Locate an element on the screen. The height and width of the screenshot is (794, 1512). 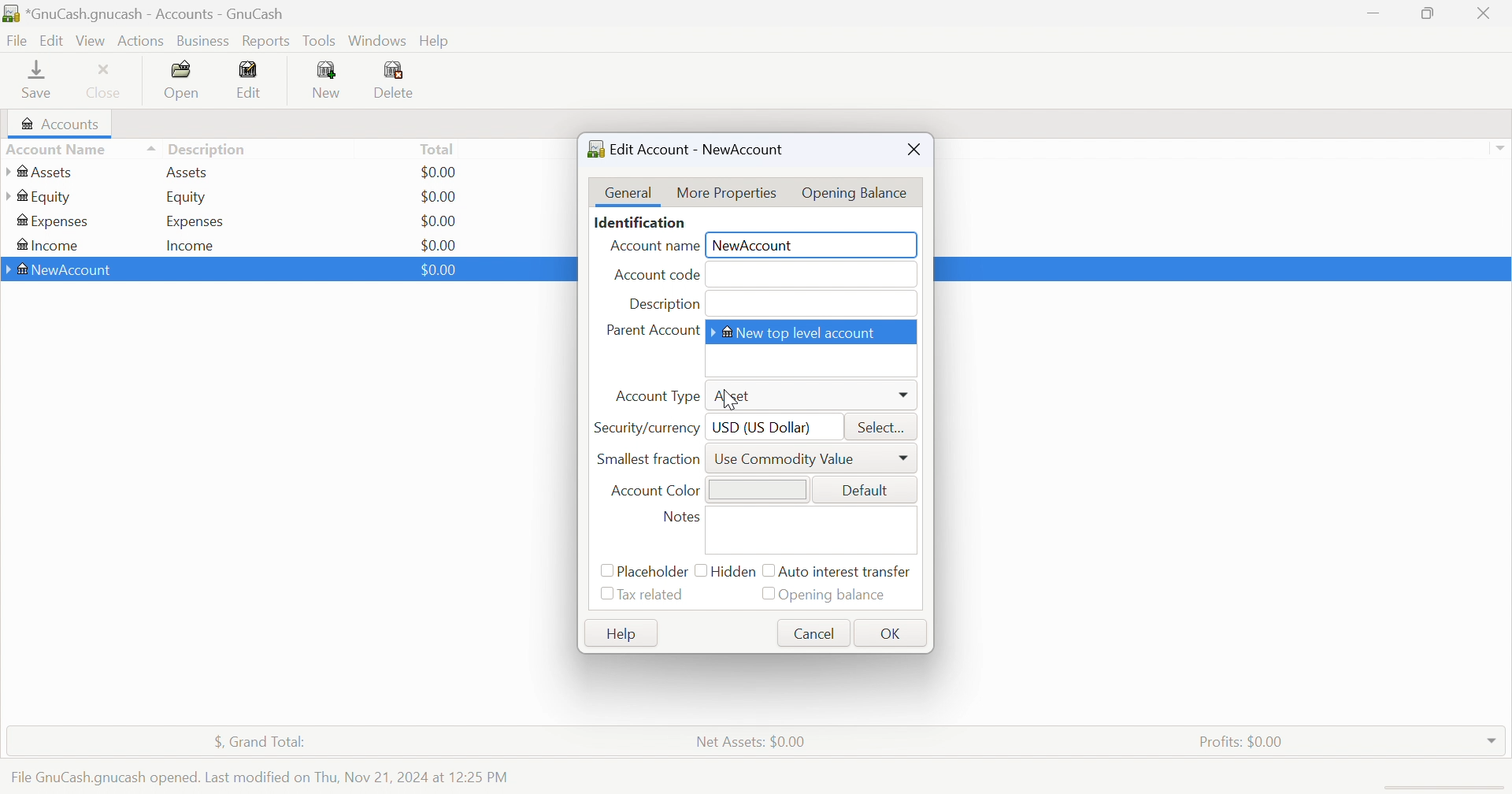
Auto intense transfer is located at coordinates (850, 570).